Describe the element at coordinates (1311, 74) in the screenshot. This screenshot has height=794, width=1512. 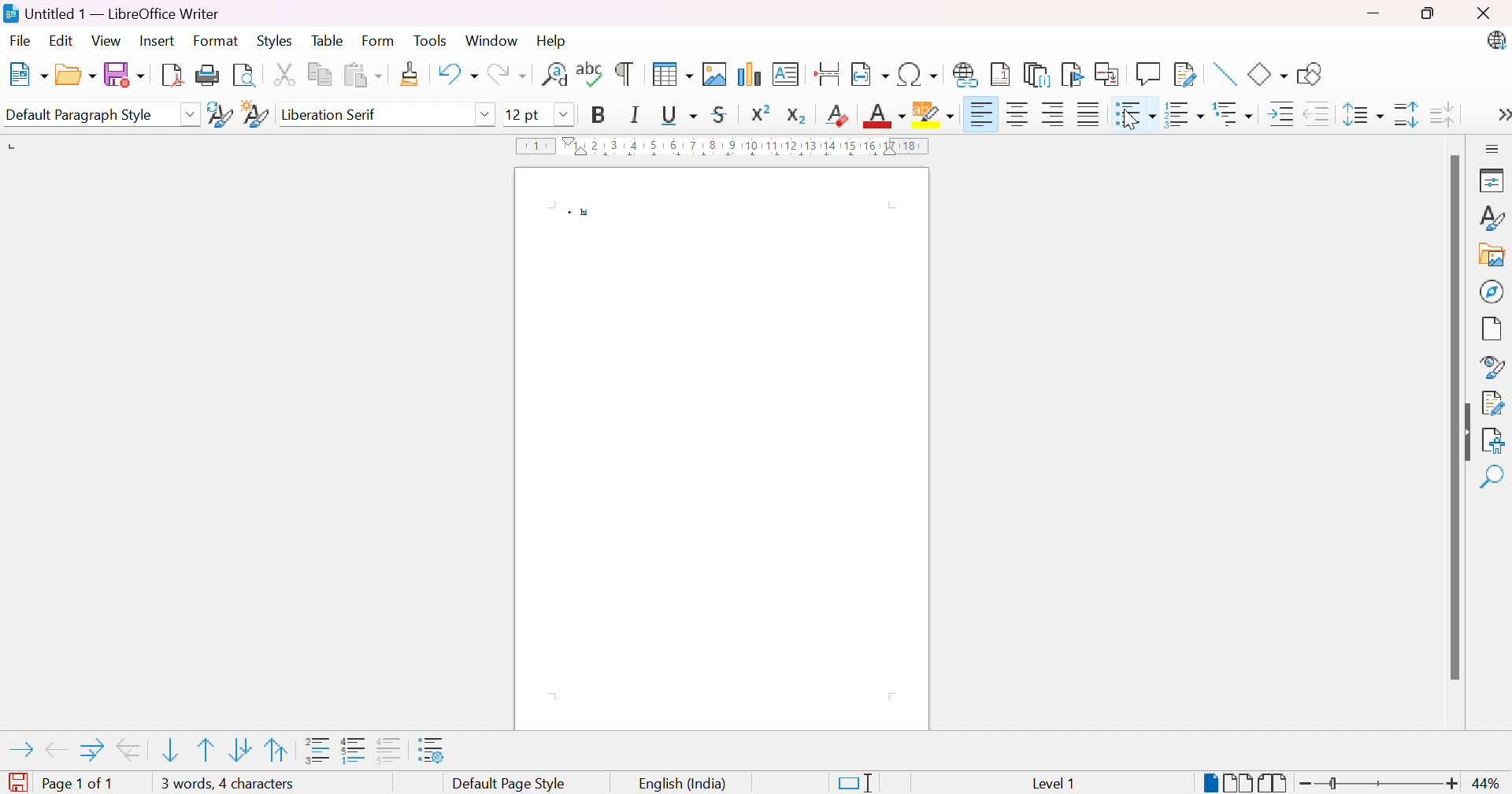
I see `Show draw functions` at that location.